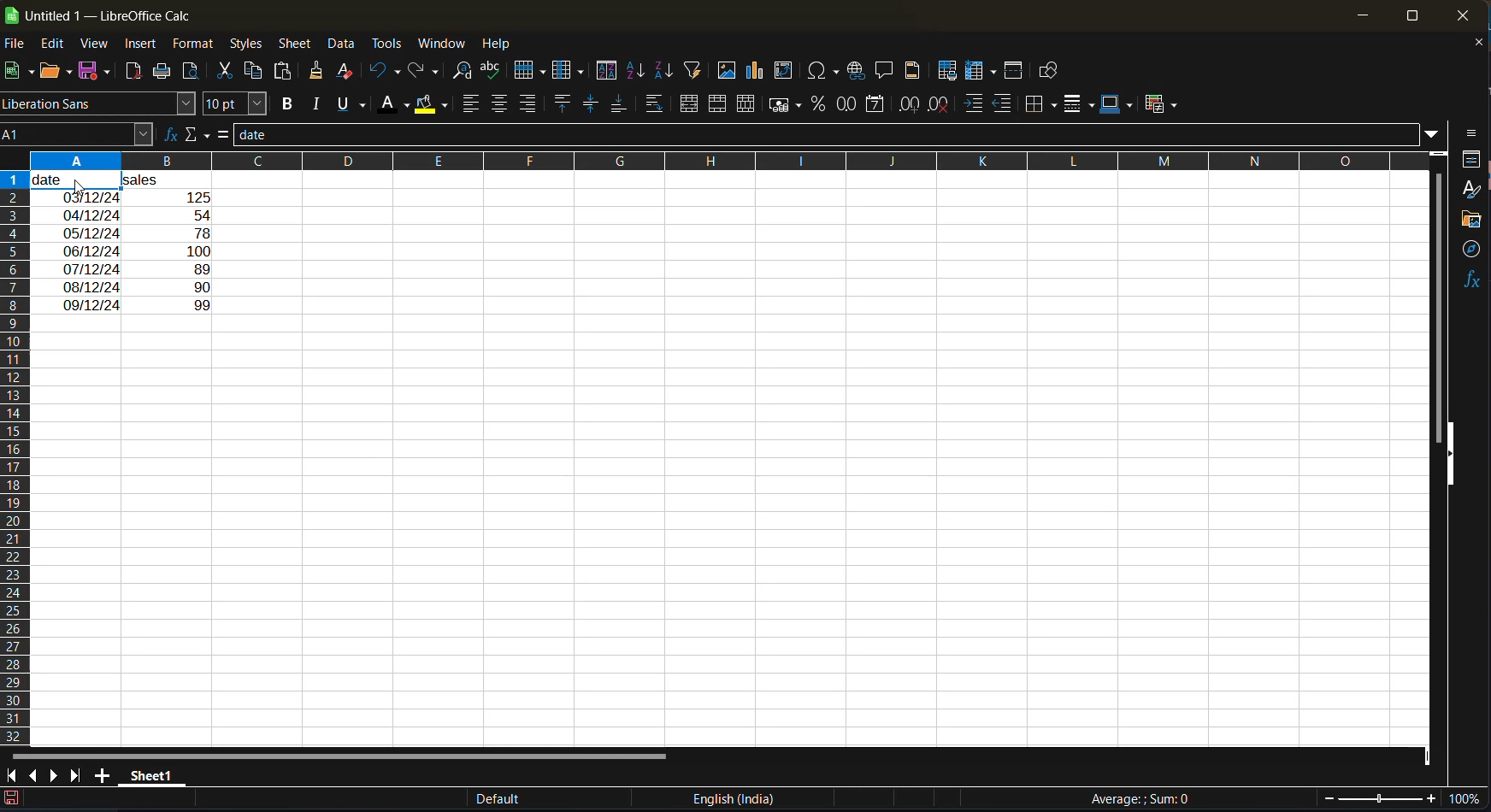 The width and height of the screenshot is (1491, 812). Describe the element at coordinates (1467, 798) in the screenshot. I see `zoom factor` at that location.